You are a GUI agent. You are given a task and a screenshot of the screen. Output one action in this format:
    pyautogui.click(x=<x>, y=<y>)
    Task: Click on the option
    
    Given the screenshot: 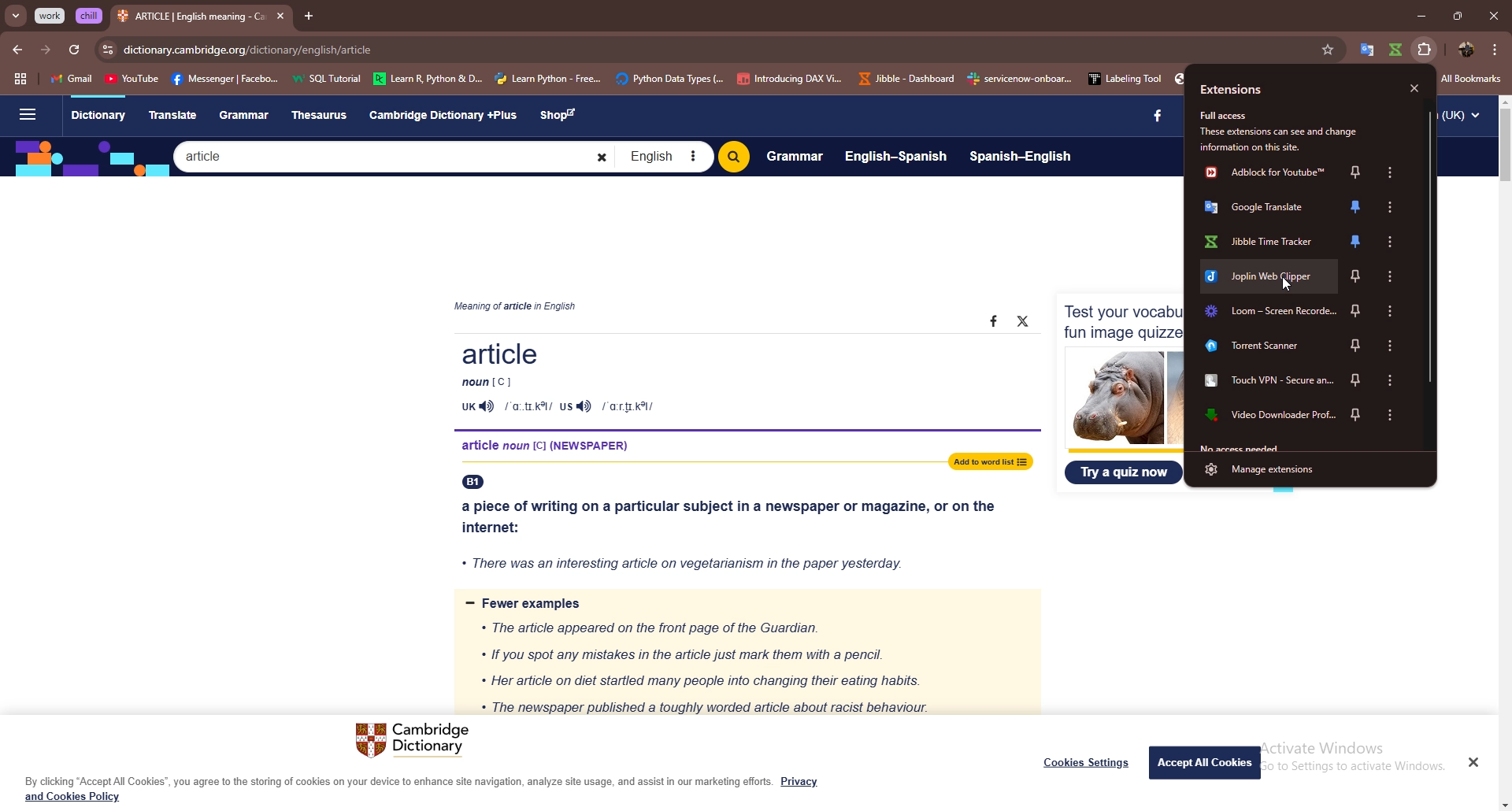 What is the action you would take?
    pyautogui.click(x=1393, y=416)
    